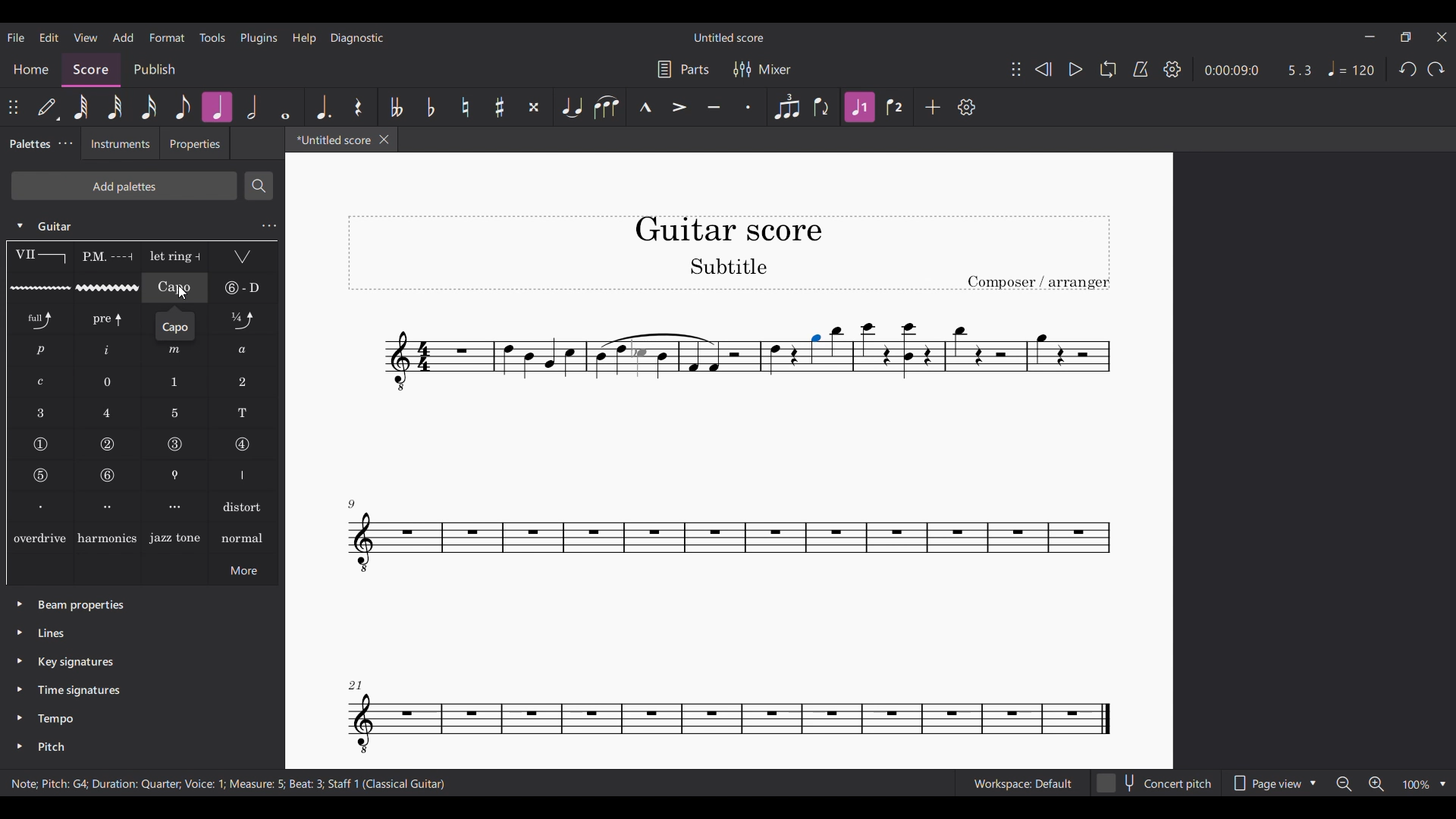 The image size is (1456, 819). I want to click on RH guitar fingering i, so click(108, 351).